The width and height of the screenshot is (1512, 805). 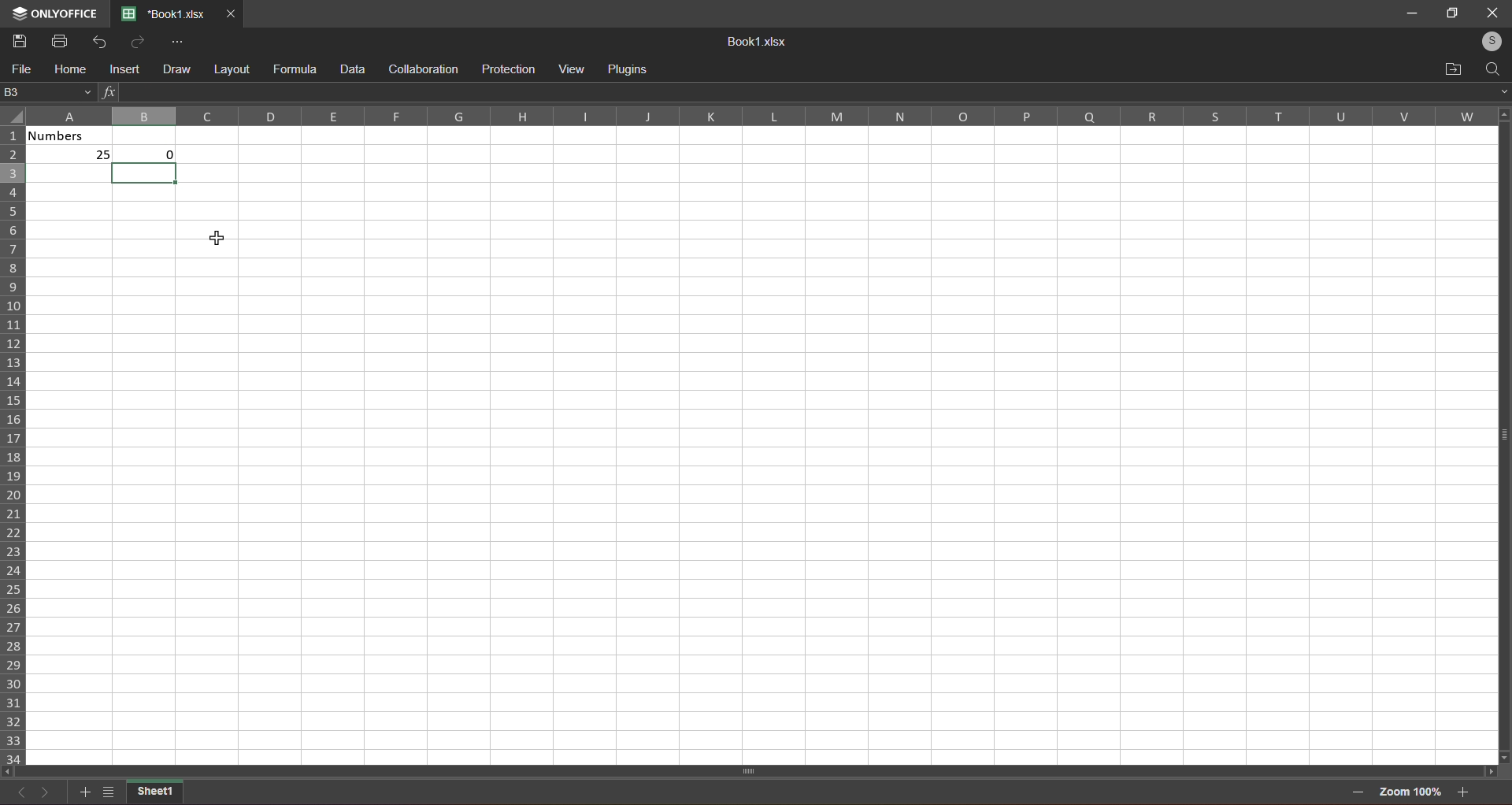 What do you see at coordinates (293, 69) in the screenshot?
I see `formula` at bounding box center [293, 69].